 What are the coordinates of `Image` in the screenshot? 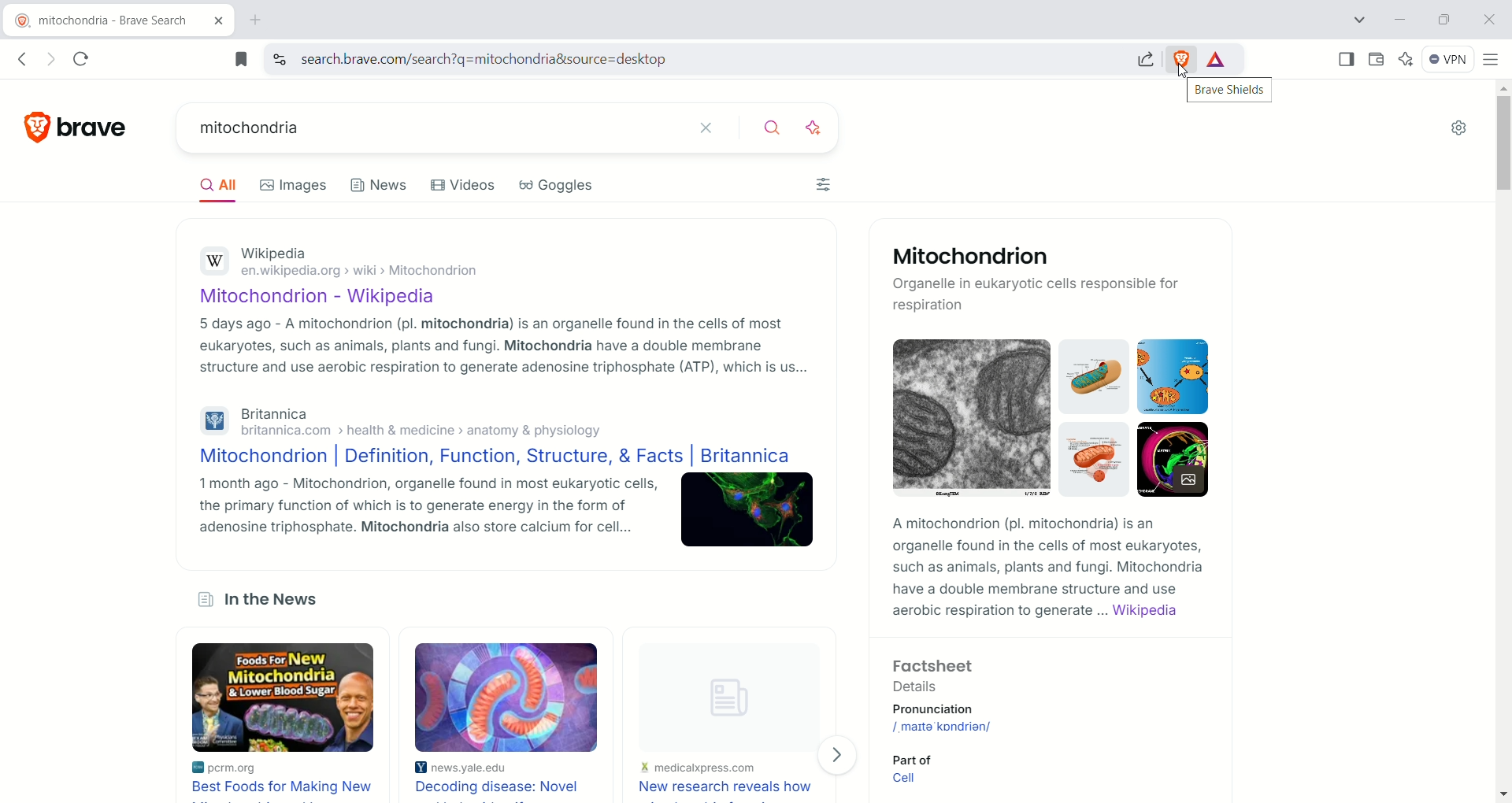 It's located at (749, 510).